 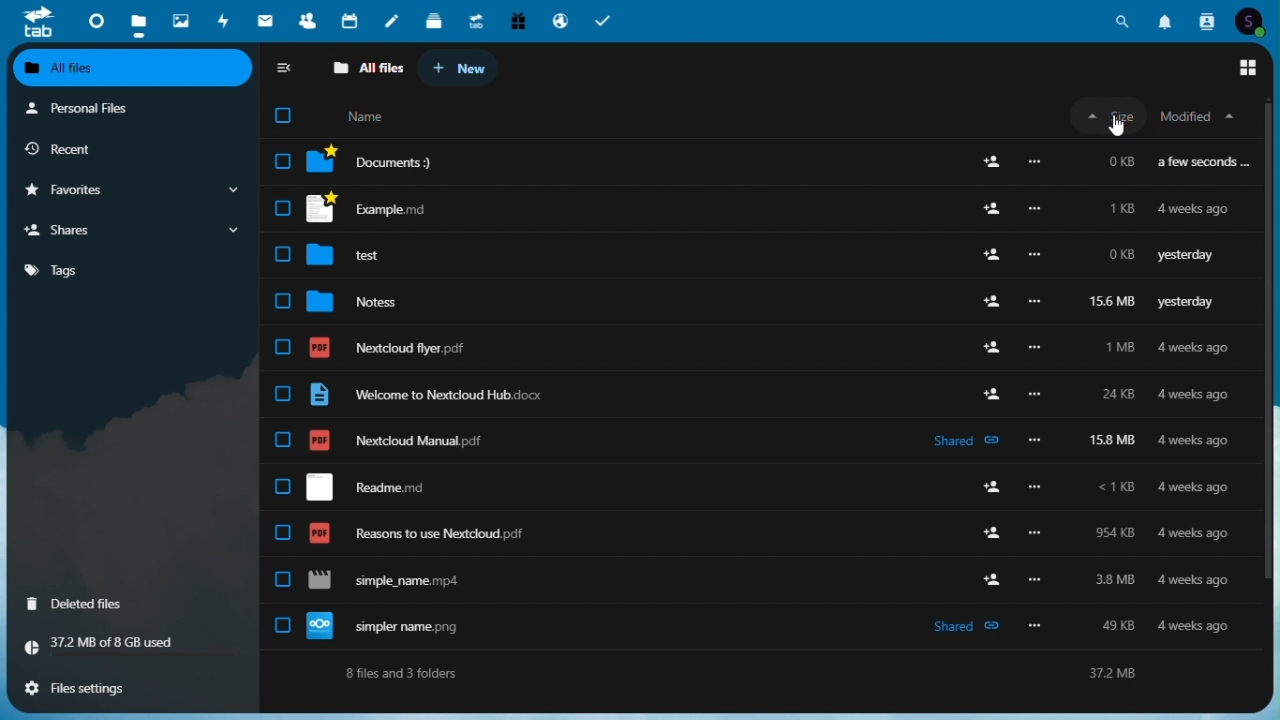 What do you see at coordinates (265, 20) in the screenshot?
I see `mail` at bounding box center [265, 20].